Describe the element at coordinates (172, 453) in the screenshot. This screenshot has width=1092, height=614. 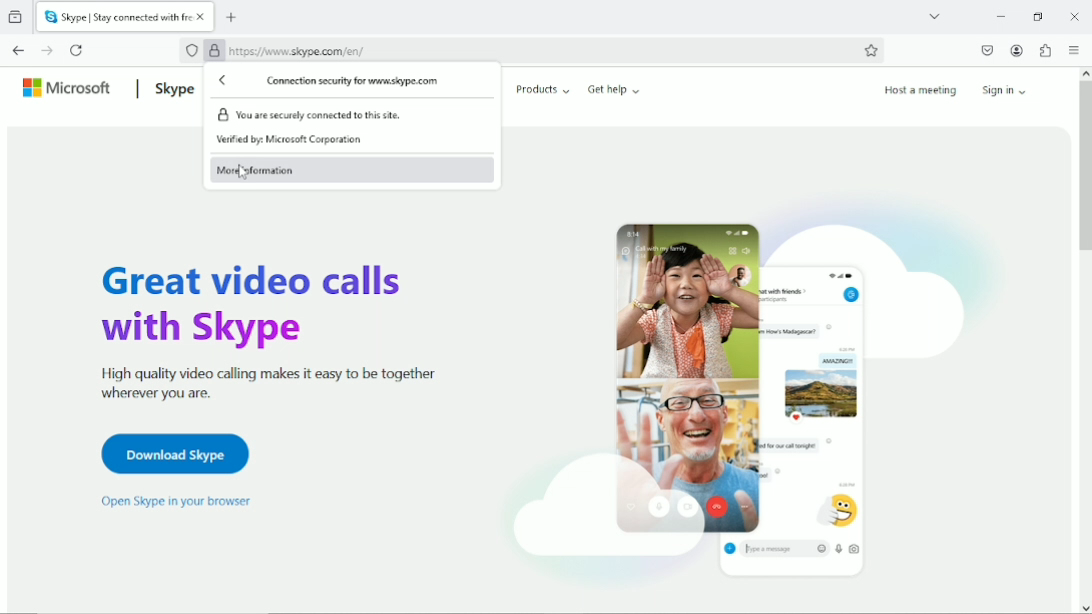
I see `Download Skype` at that location.